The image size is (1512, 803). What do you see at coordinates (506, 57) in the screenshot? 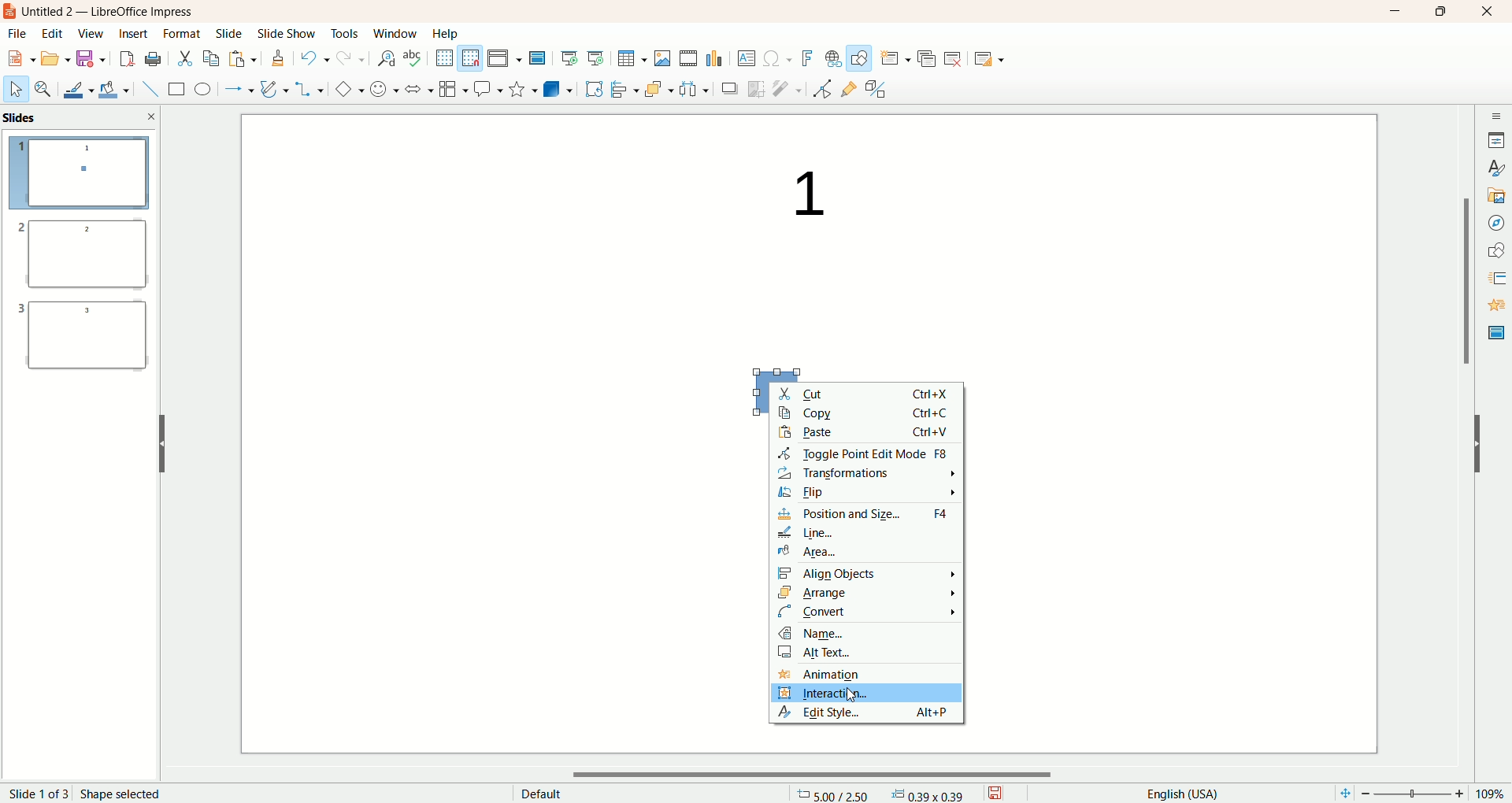
I see `display view` at bounding box center [506, 57].